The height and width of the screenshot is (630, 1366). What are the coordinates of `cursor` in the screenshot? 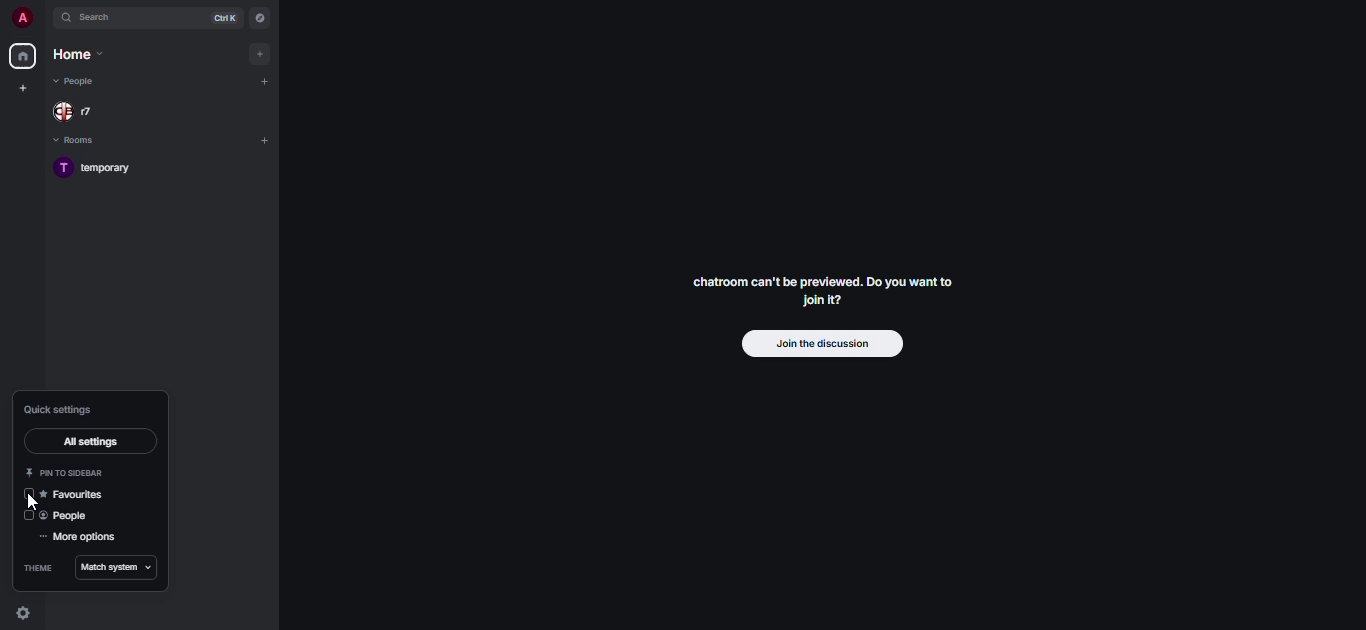 It's located at (33, 505).